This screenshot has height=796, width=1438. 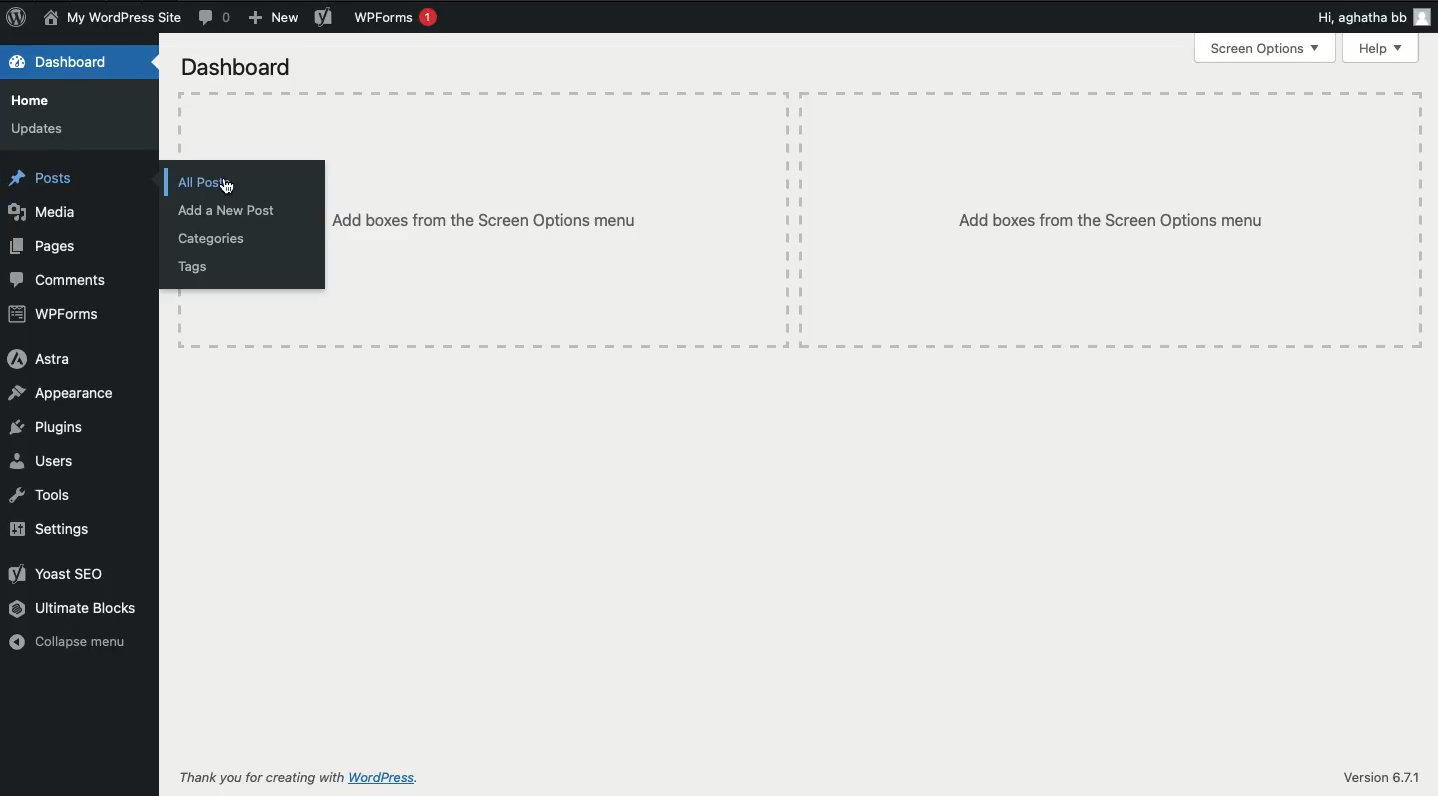 What do you see at coordinates (231, 190) in the screenshot?
I see `Custom sidebars` at bounding box center [231, 190].